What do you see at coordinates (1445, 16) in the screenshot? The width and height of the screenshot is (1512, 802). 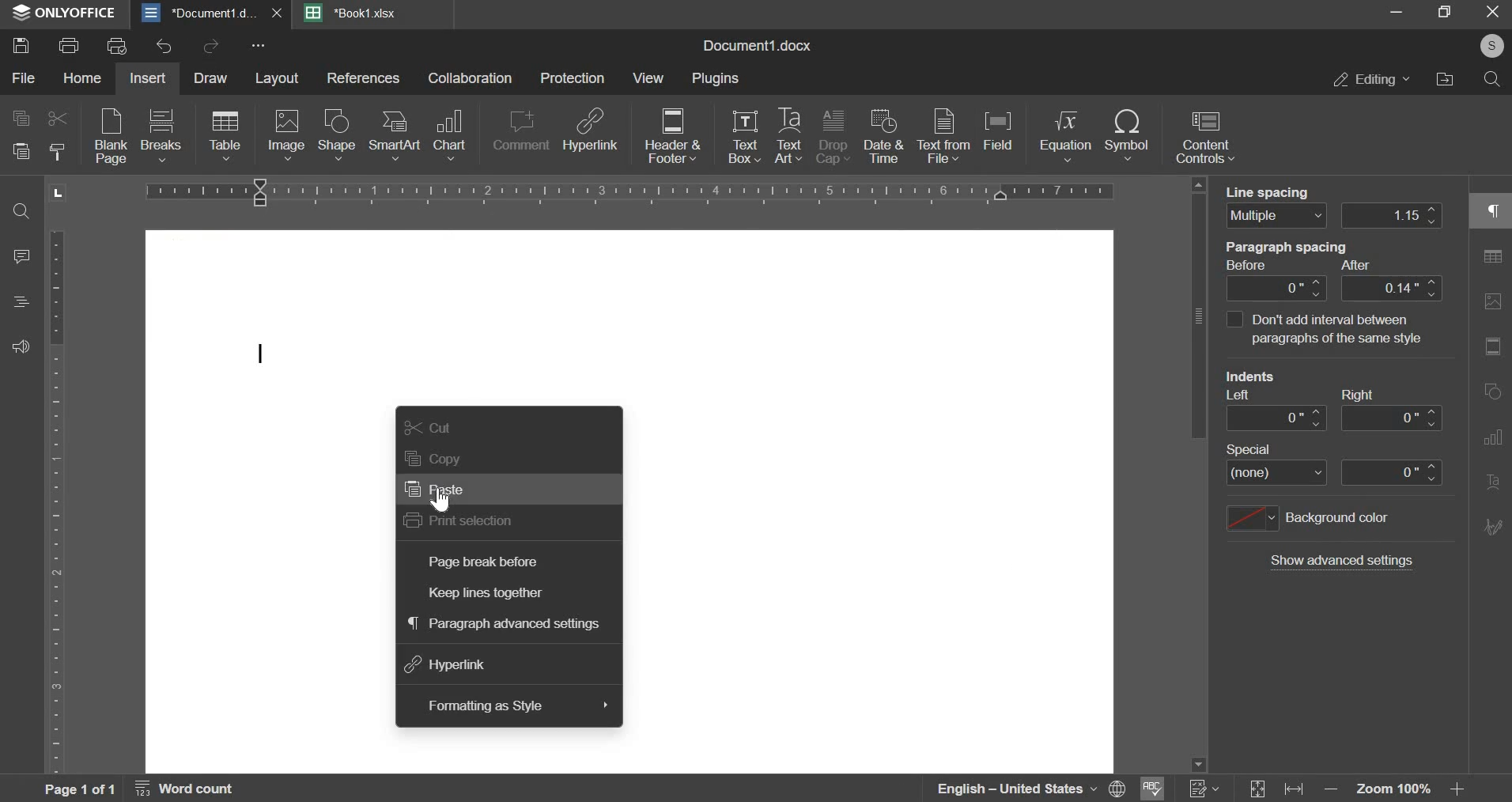 I see `maximize` at bounding box center [1445, 16].